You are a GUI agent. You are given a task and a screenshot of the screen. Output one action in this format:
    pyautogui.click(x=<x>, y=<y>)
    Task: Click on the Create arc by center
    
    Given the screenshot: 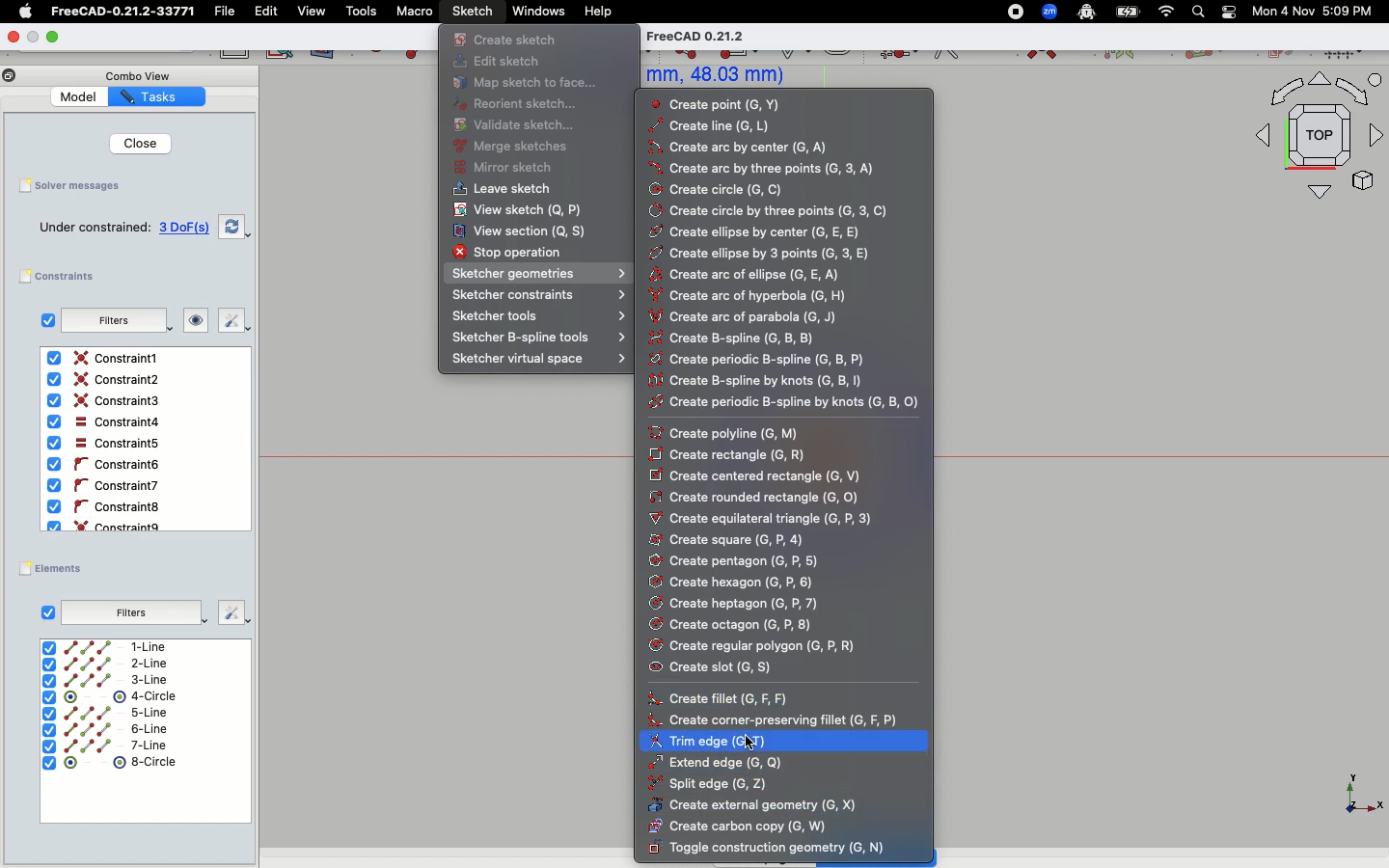 What is the action you would take?
    pyautogui.click(x=743, y=149)
    